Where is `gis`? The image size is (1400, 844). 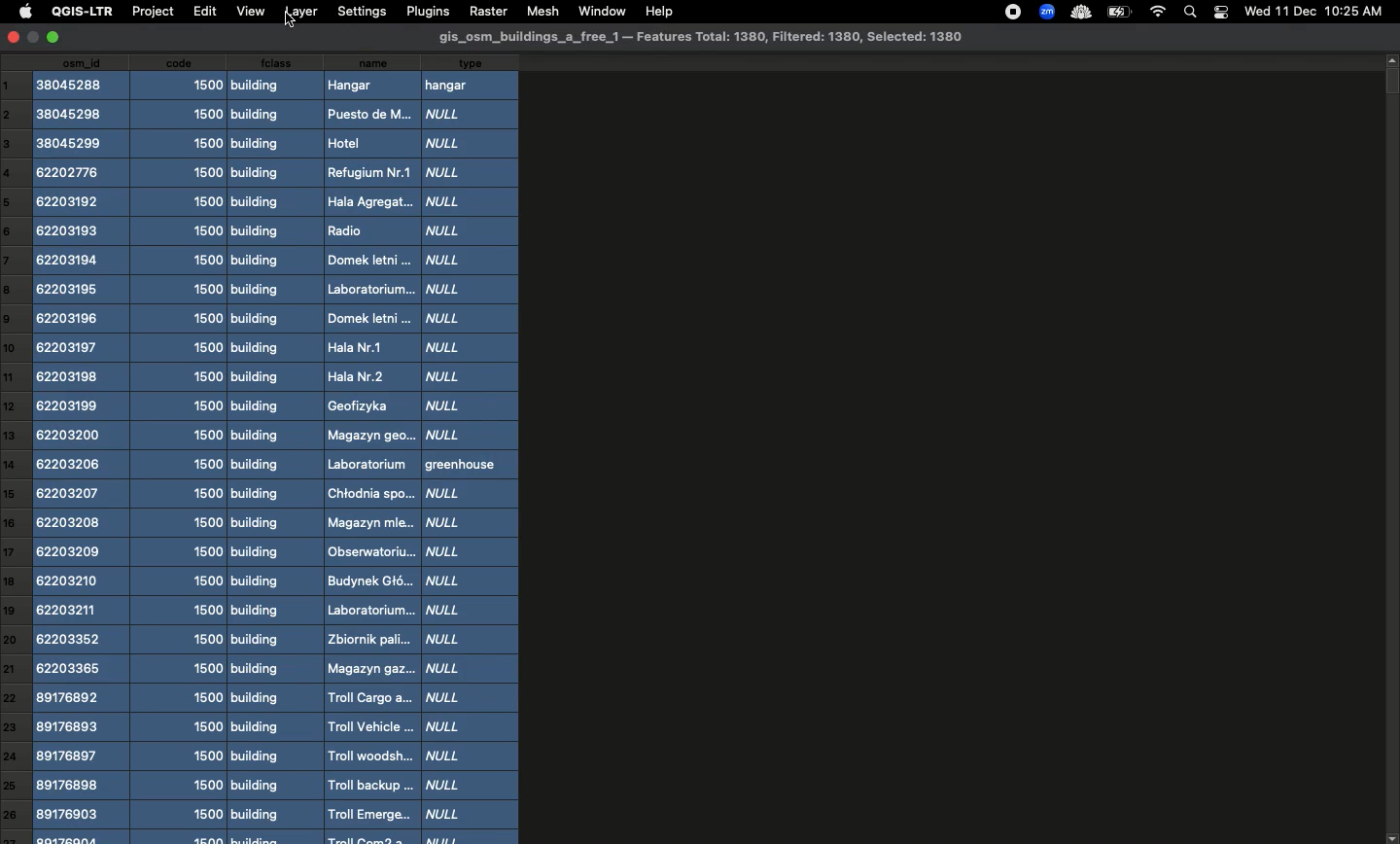 gis is located at coordinates (703, 37).